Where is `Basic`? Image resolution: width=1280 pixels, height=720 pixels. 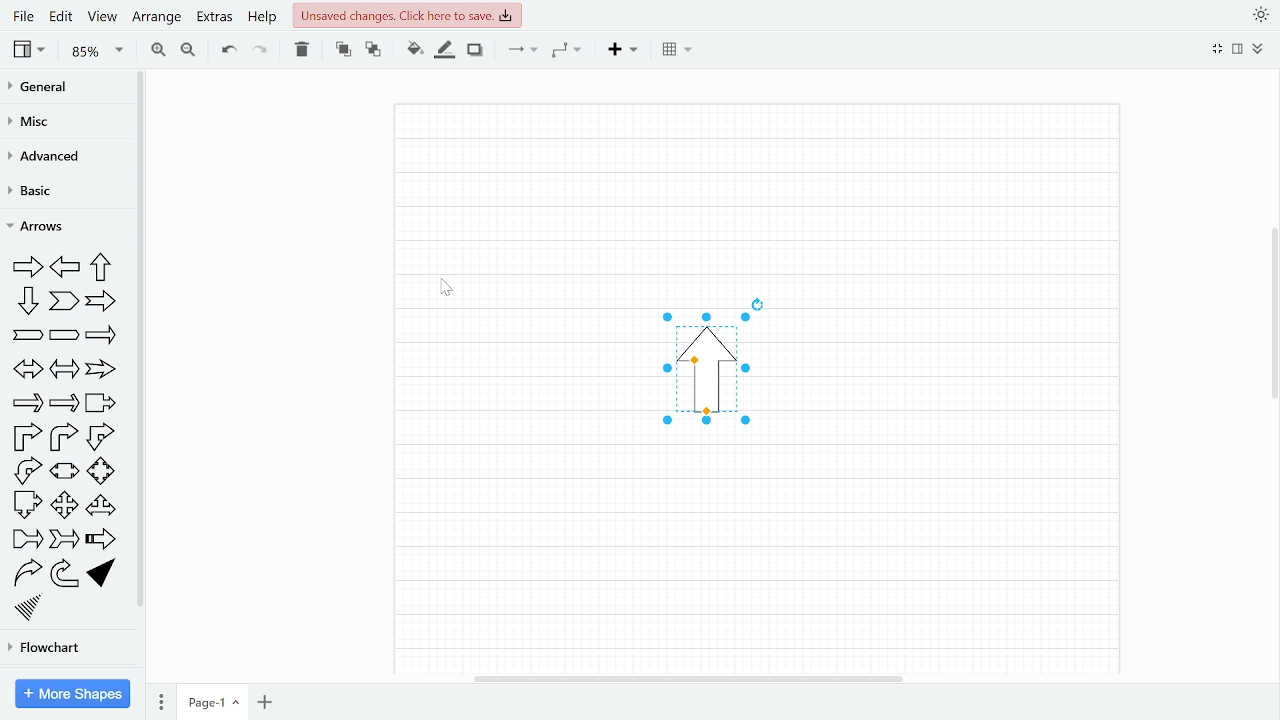 Basic is located at coordinates (43, 190).